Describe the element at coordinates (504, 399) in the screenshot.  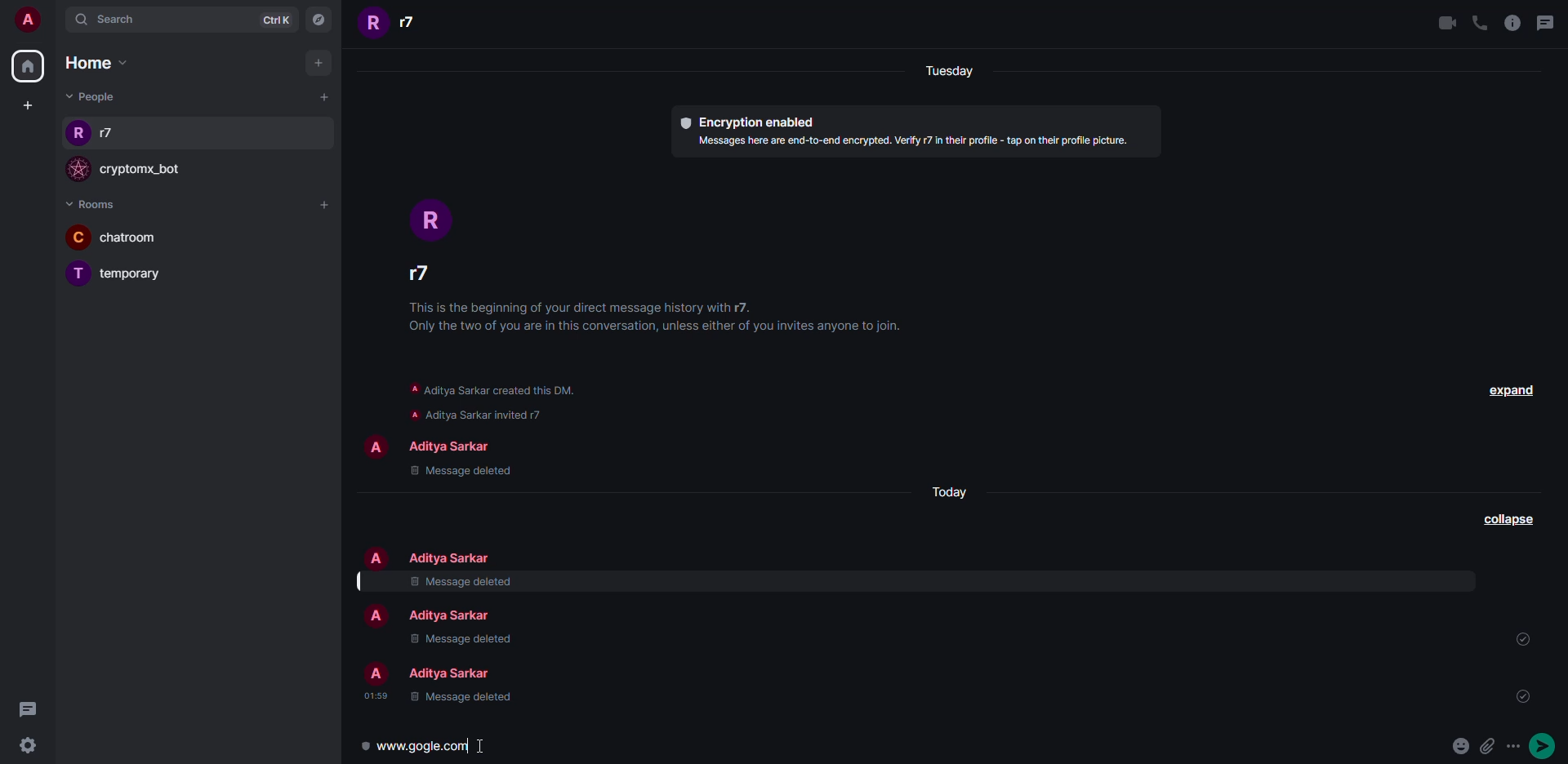
I see `info` at that location.